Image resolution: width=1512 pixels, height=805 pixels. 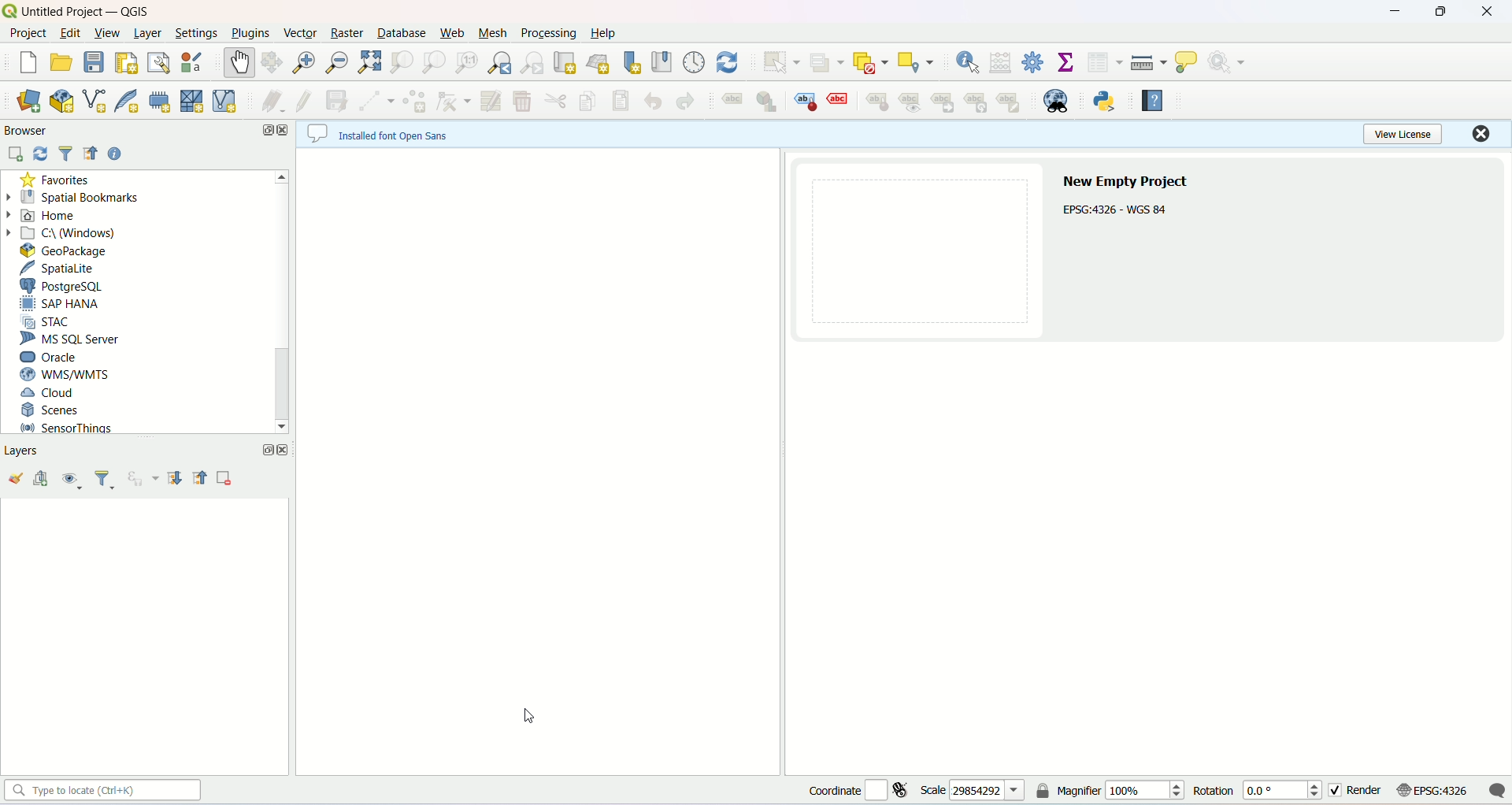 I want to click on select features by value, so click(x=828, y=61).